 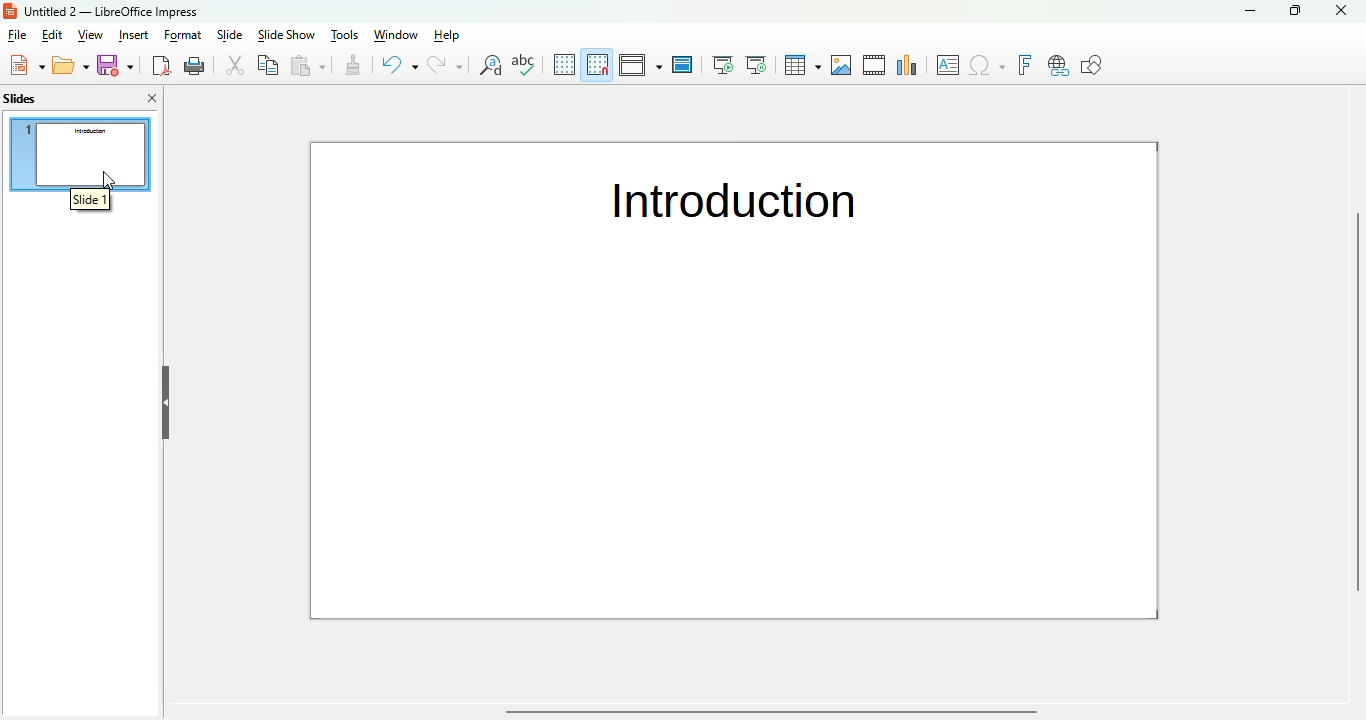 What do you see at coordinates (286, 35) in the screenshot?
I see `slide show` at bounding box center [286, 35].